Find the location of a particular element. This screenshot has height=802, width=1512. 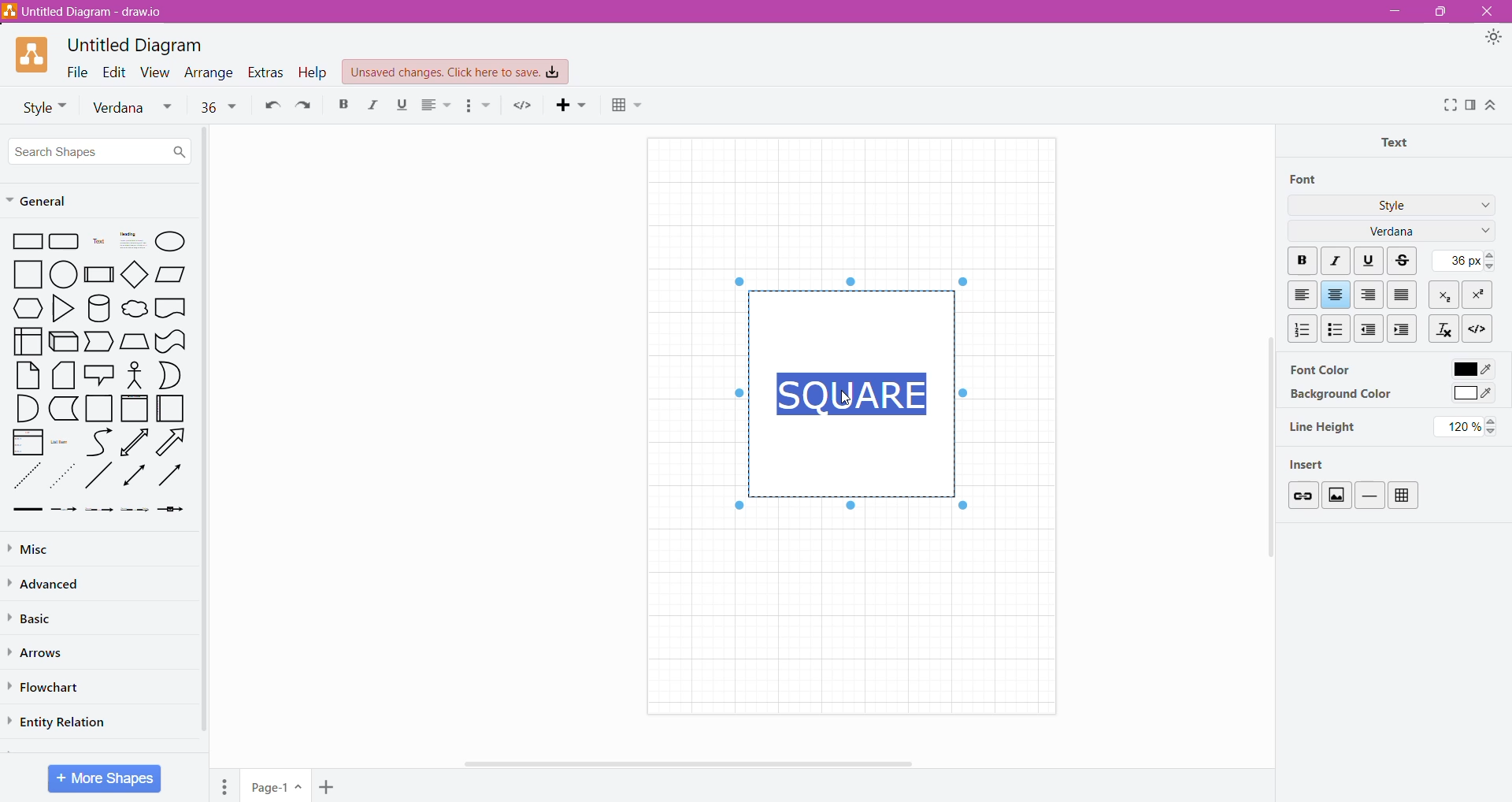

Font is located at coordinates (1305, 180).